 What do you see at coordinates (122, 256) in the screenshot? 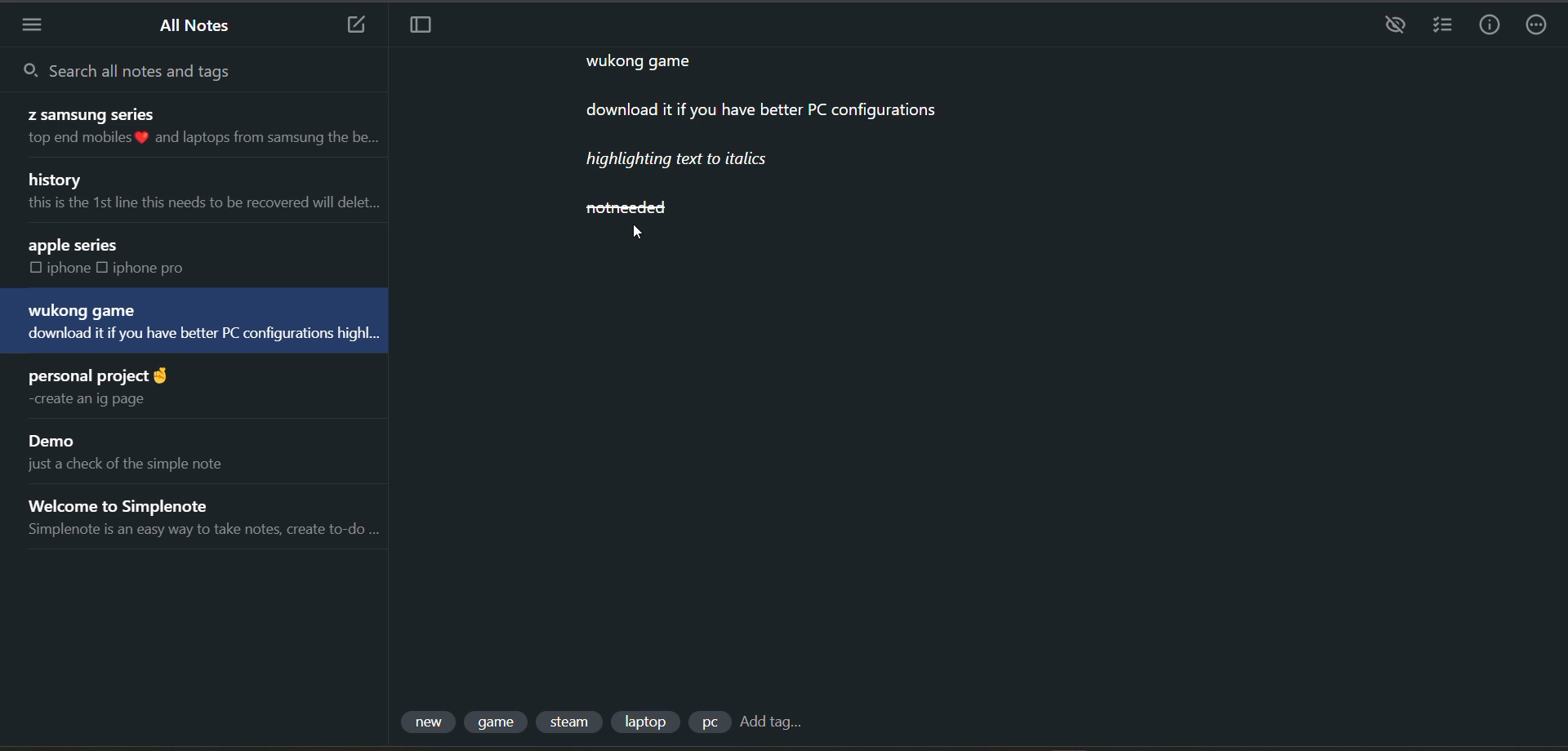
I see `note title and preview` at bounding box center [122, 256].